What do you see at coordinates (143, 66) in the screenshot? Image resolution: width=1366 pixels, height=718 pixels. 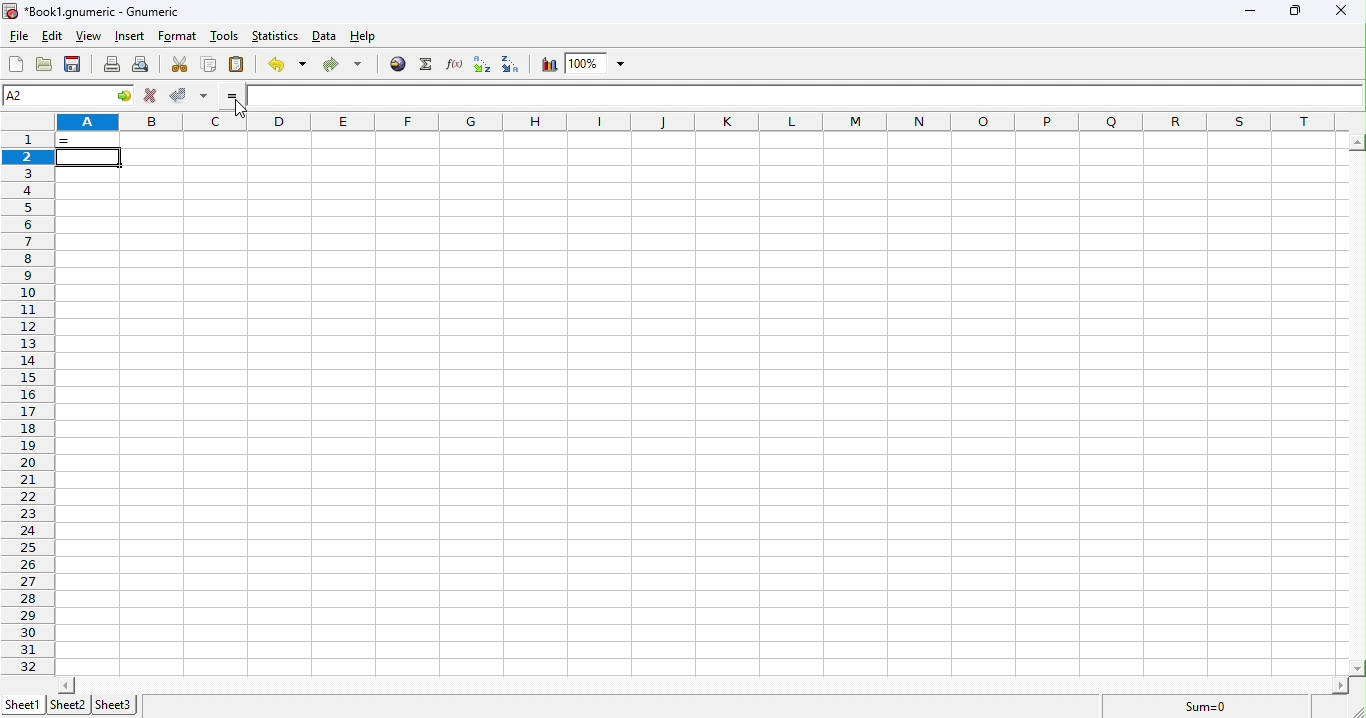 I see `print preview` at bounding box center [143, 66].